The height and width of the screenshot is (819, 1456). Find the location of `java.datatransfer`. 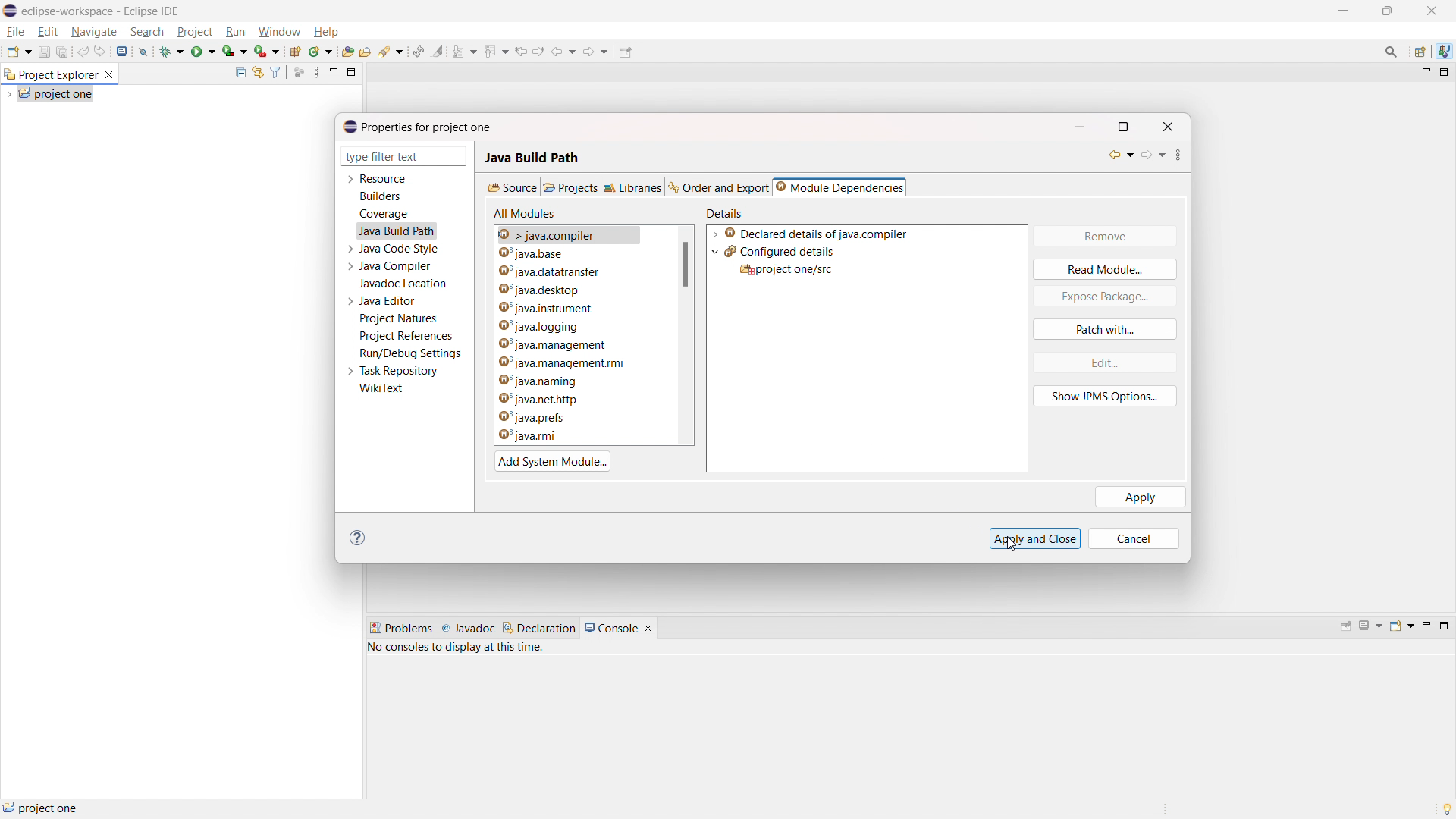

java.datatransfer is located at coordinates (578, 272).